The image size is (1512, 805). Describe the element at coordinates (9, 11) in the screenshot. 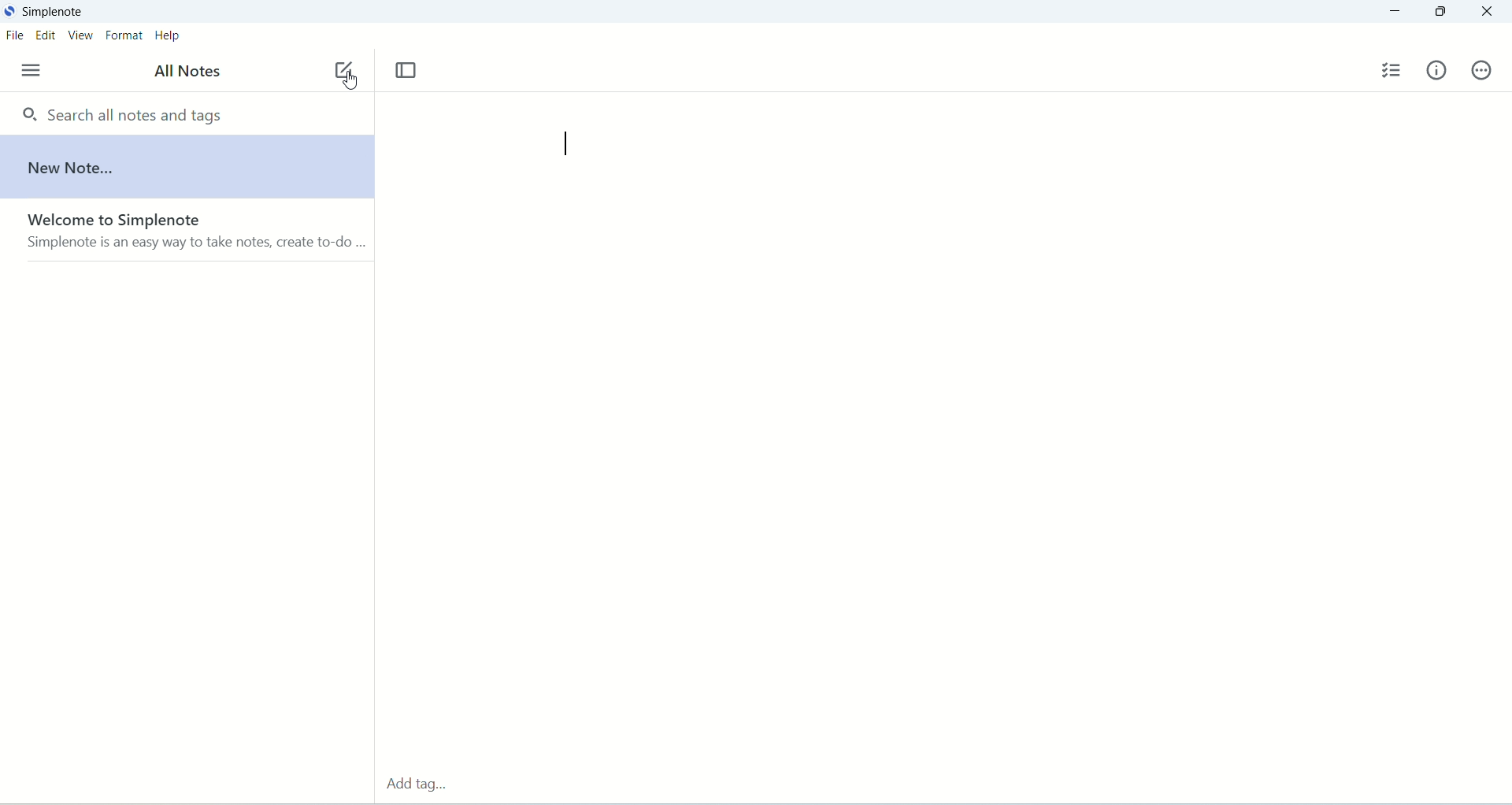

I see `logo` at that location.